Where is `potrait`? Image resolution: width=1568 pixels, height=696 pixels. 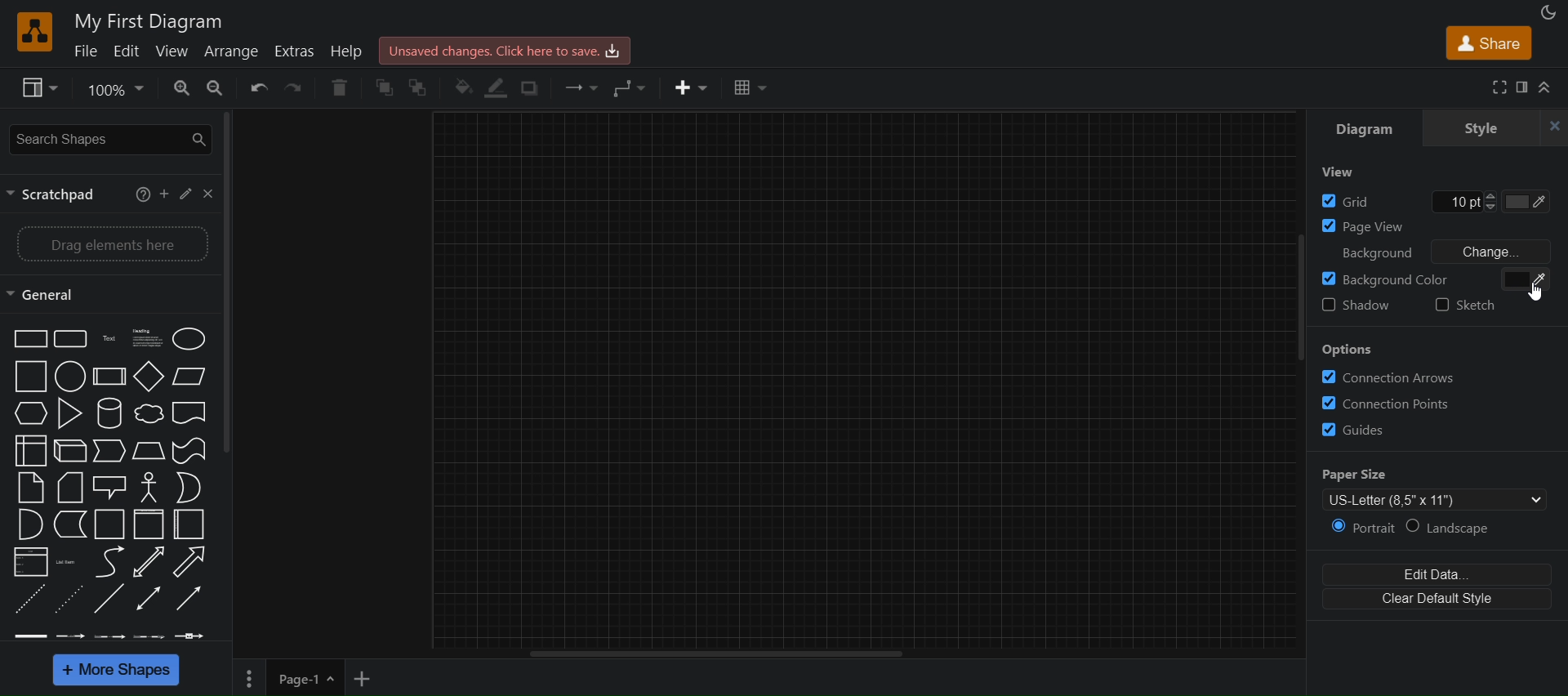
potrait is located at coordinates (1363, 529).